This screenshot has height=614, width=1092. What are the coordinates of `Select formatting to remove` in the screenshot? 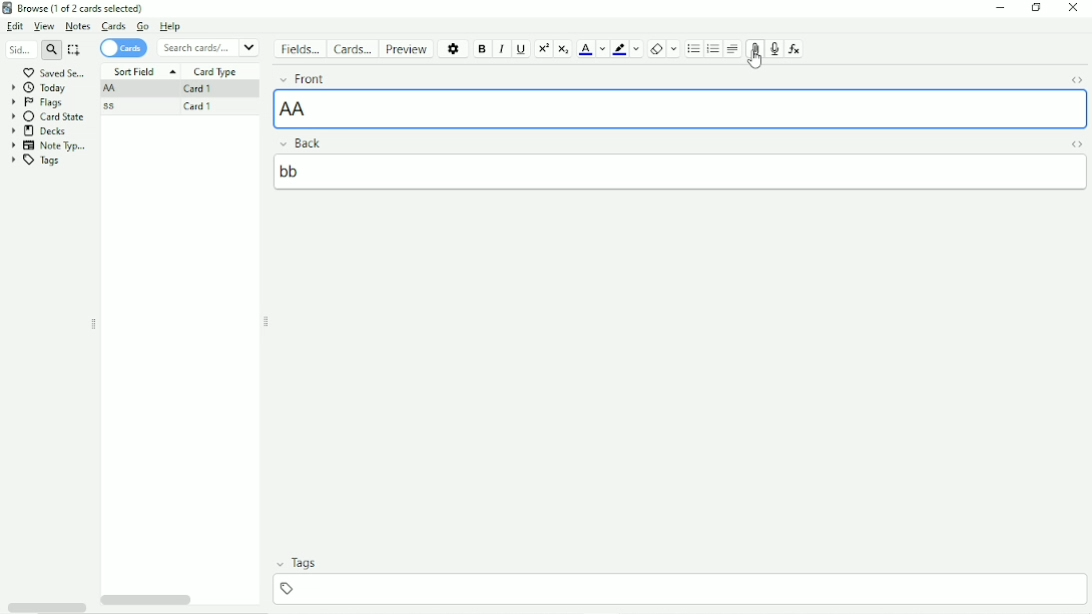 It's located at (675, 49).